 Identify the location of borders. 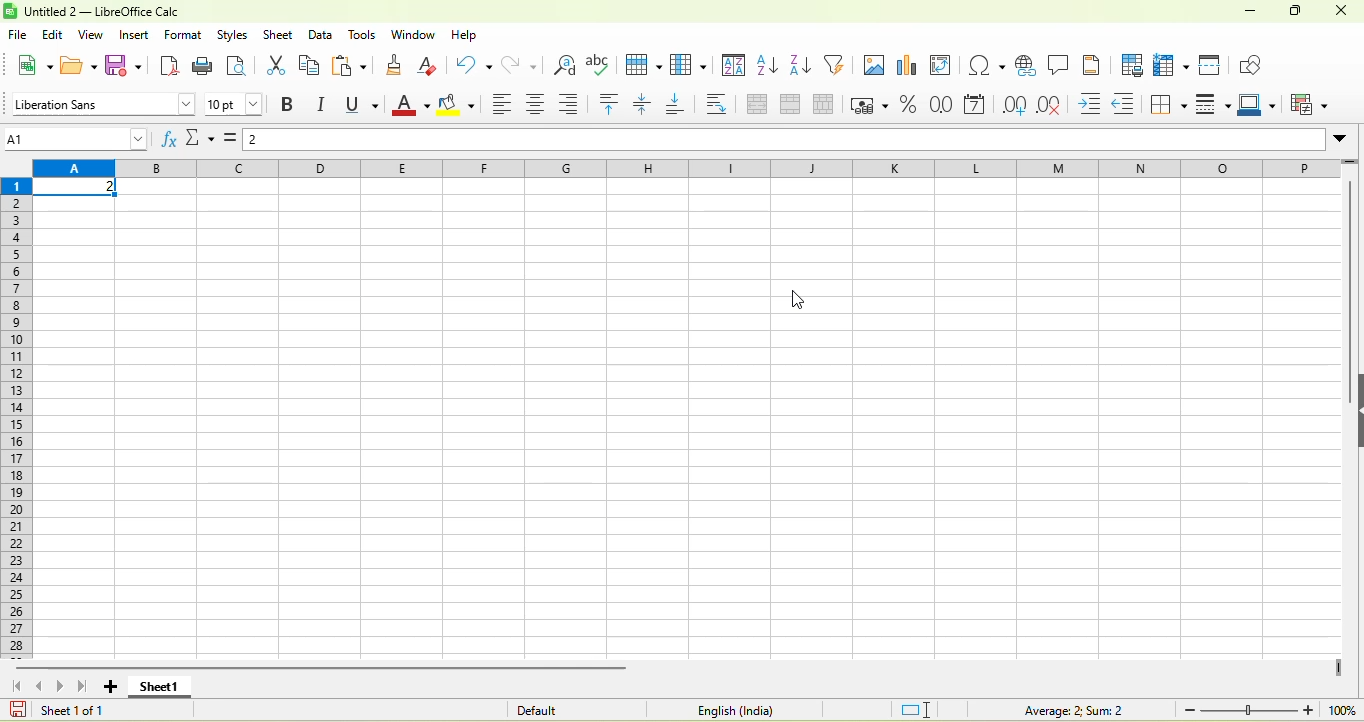
(1166, 105).